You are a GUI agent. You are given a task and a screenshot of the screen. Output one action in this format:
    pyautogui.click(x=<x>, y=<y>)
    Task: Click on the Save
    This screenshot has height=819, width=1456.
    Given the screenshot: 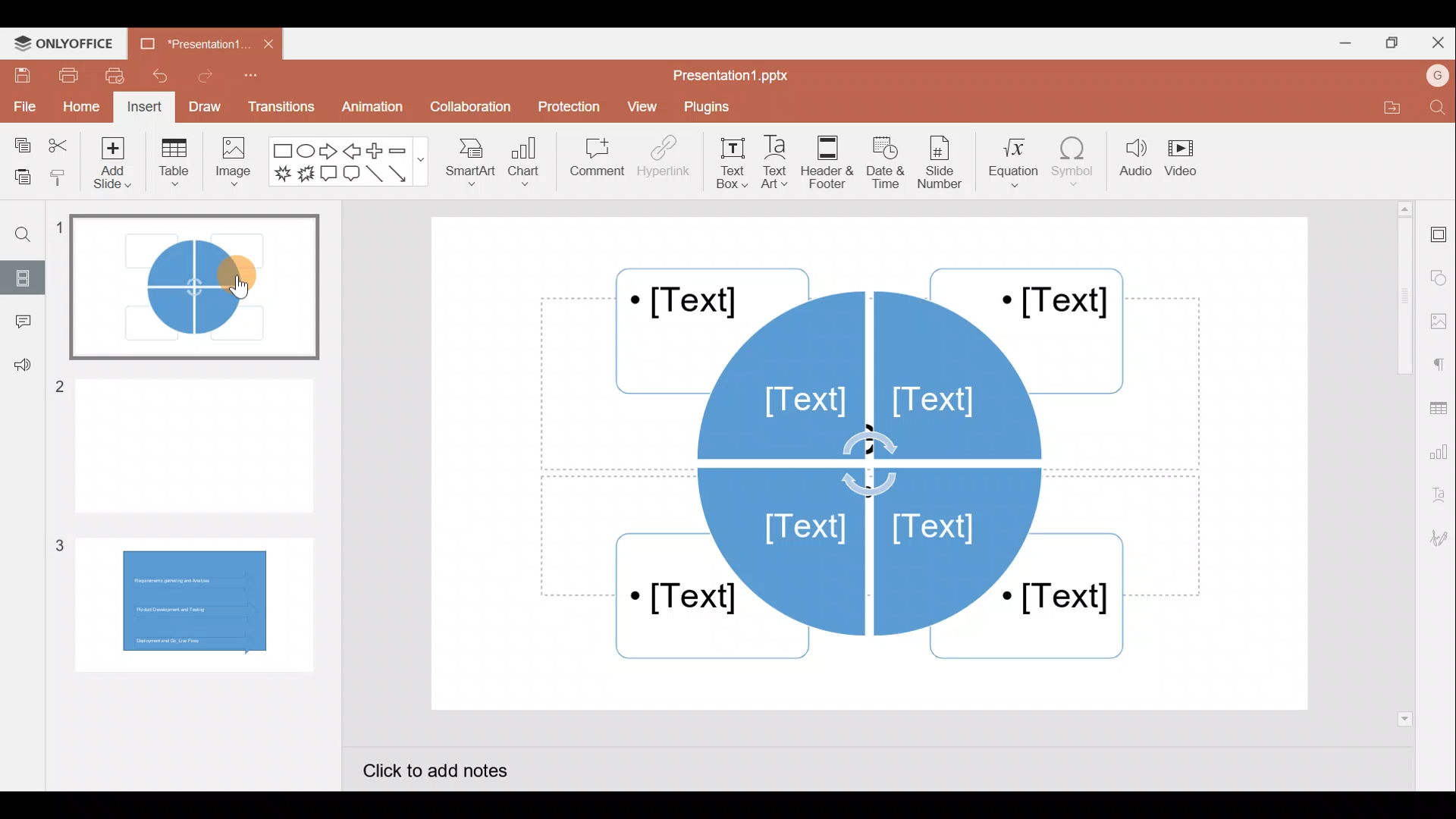 What is the action you would take?
    pyautogui.click(x=20, y=76)
    